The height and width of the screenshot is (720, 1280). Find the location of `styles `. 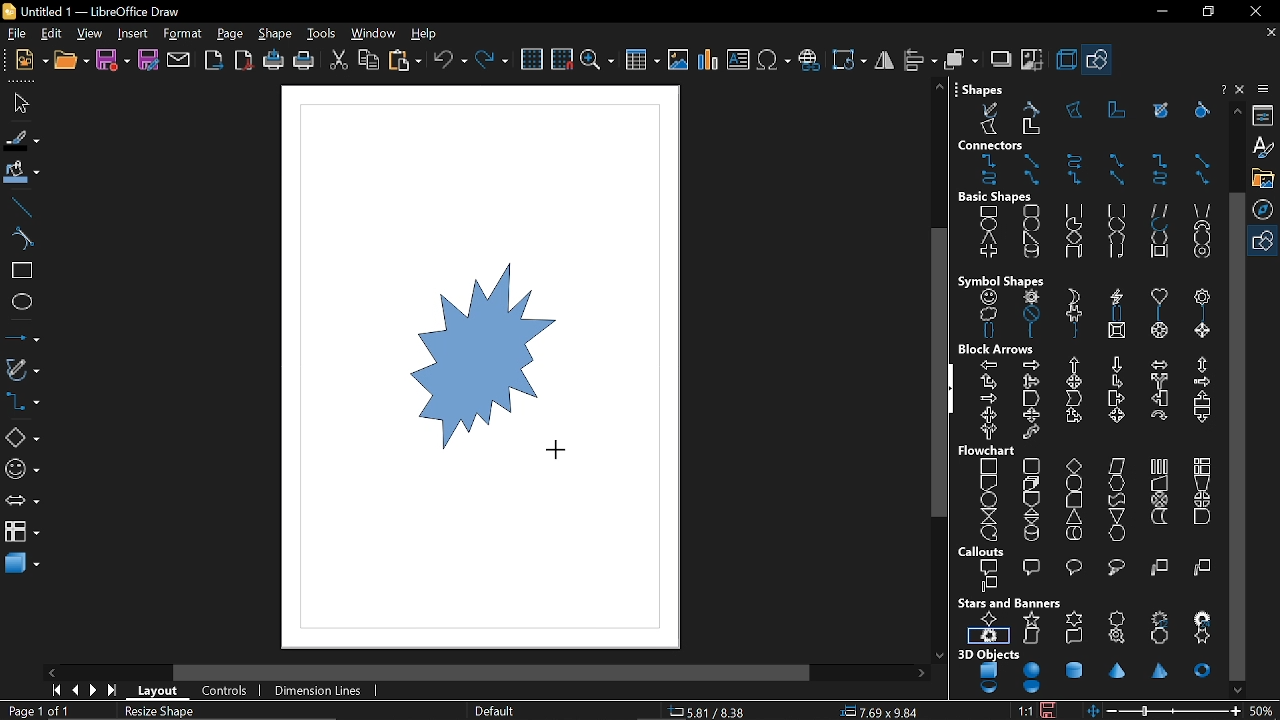

styles  is located at coordinates (1266, 147).